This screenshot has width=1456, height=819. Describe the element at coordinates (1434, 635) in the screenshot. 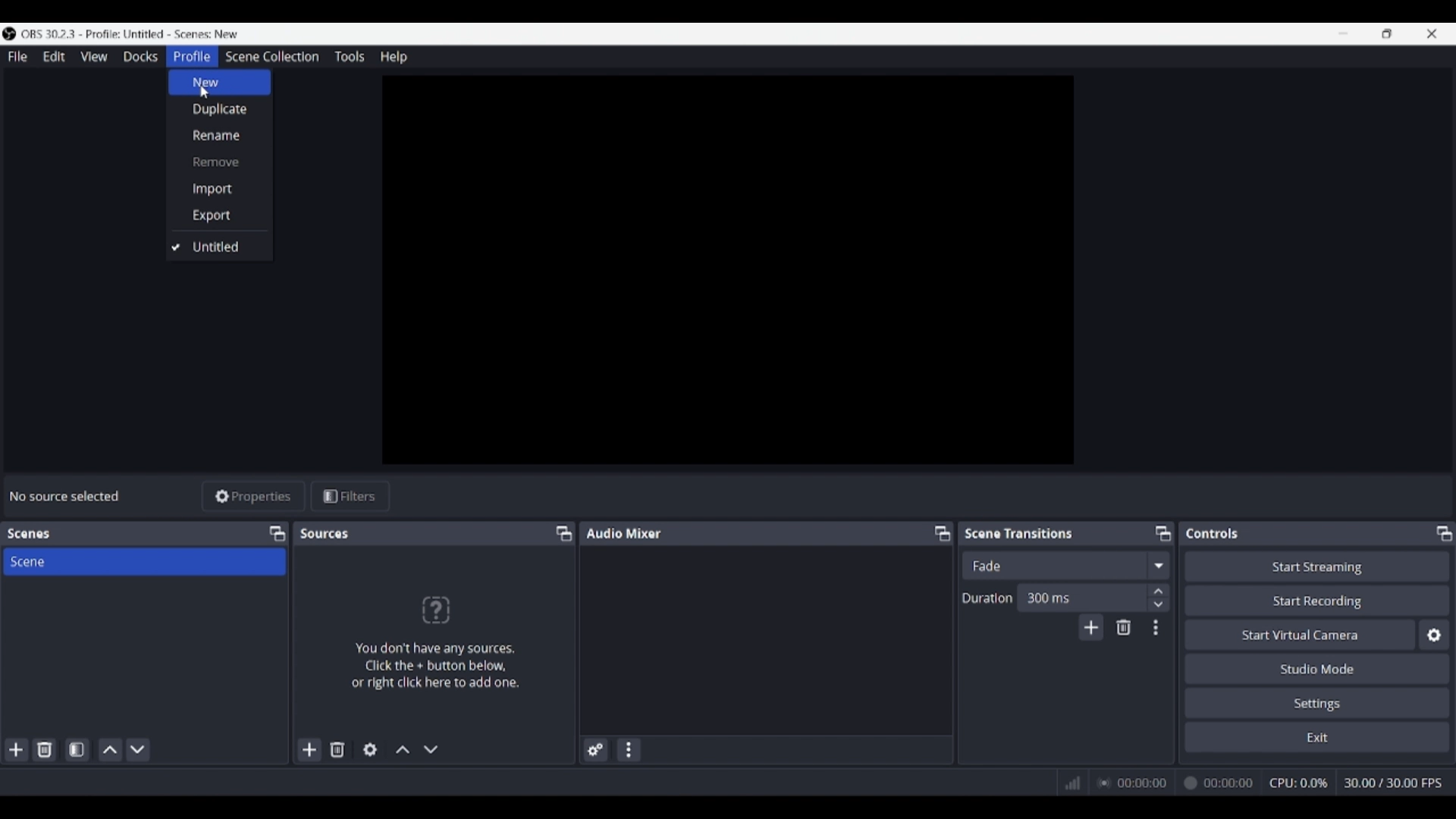

I see `Configure virtual camera` at that location.